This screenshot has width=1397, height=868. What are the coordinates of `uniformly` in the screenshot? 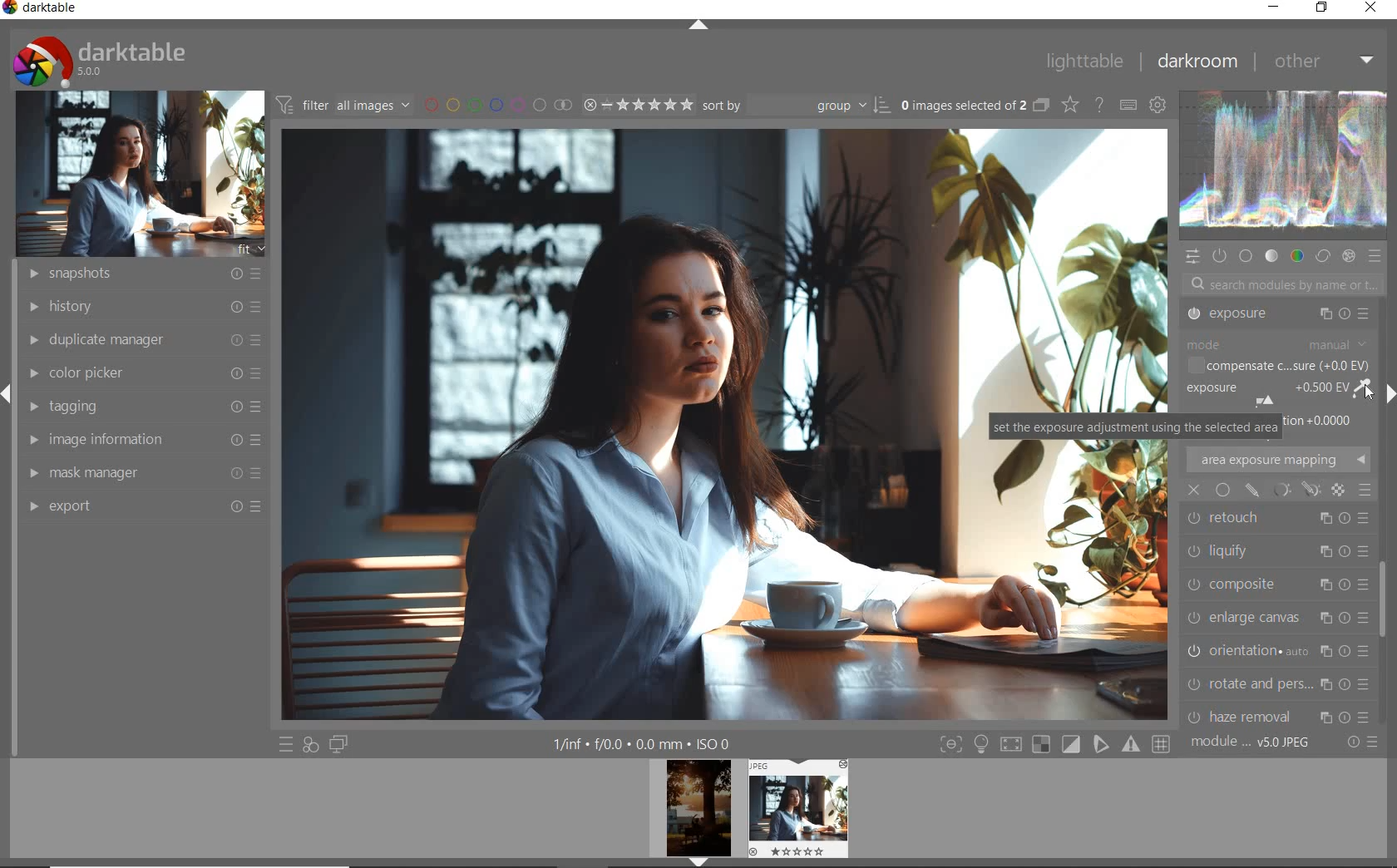 It's located at (1222, 491).